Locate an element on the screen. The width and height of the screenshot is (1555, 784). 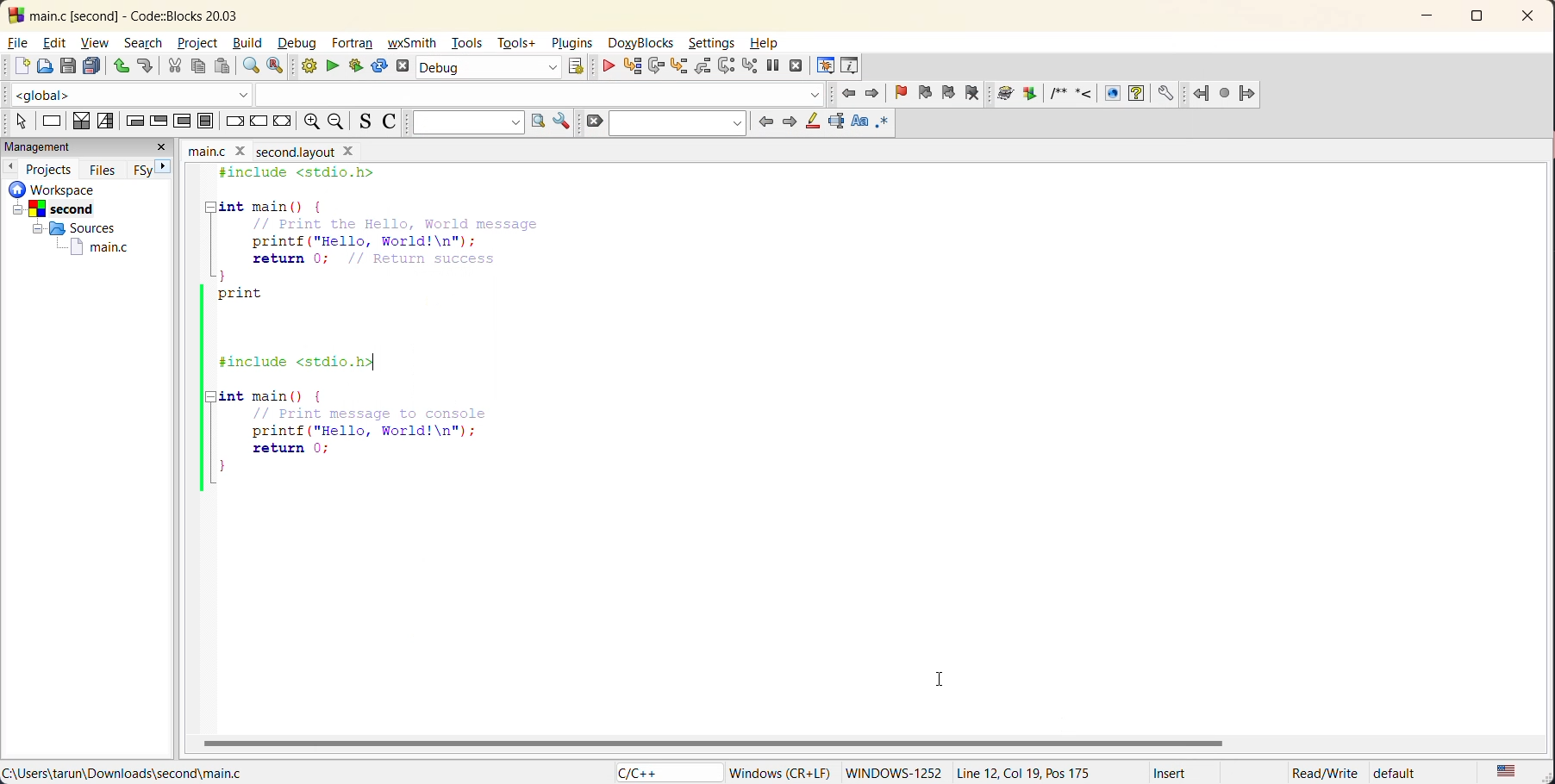
doxyblocks is located at coordinates (642, 44).